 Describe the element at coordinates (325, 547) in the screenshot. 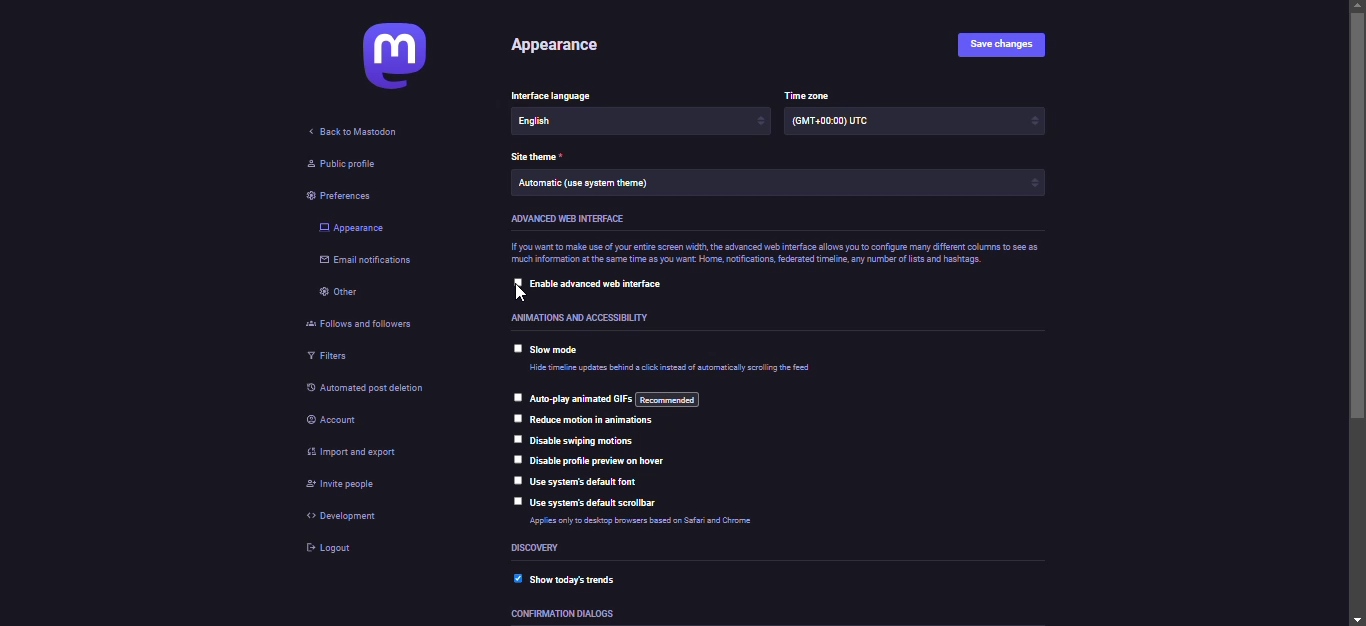

I see `logout` at that location.